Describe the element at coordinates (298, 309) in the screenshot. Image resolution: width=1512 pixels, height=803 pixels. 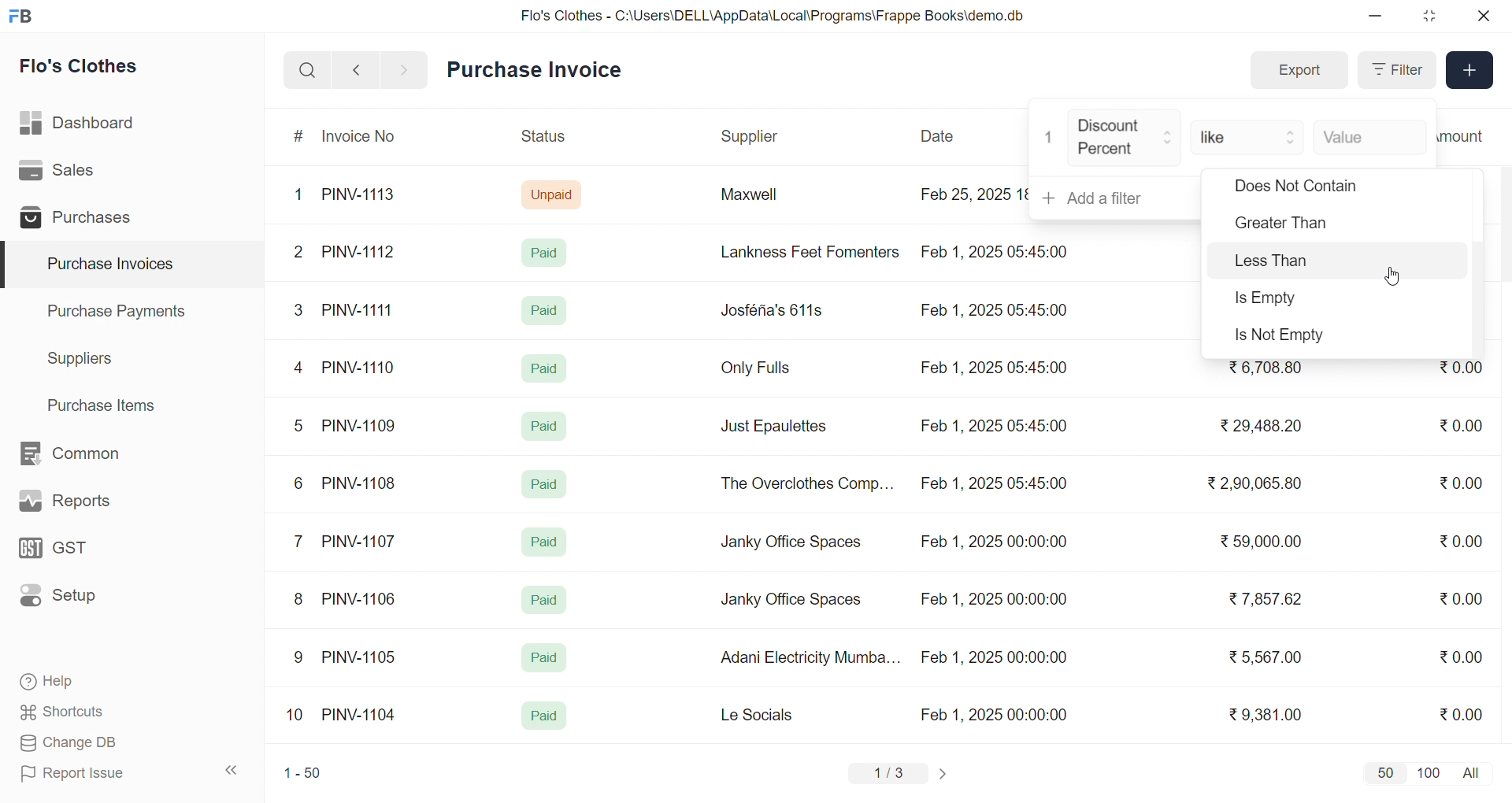
I see `3` at that location.